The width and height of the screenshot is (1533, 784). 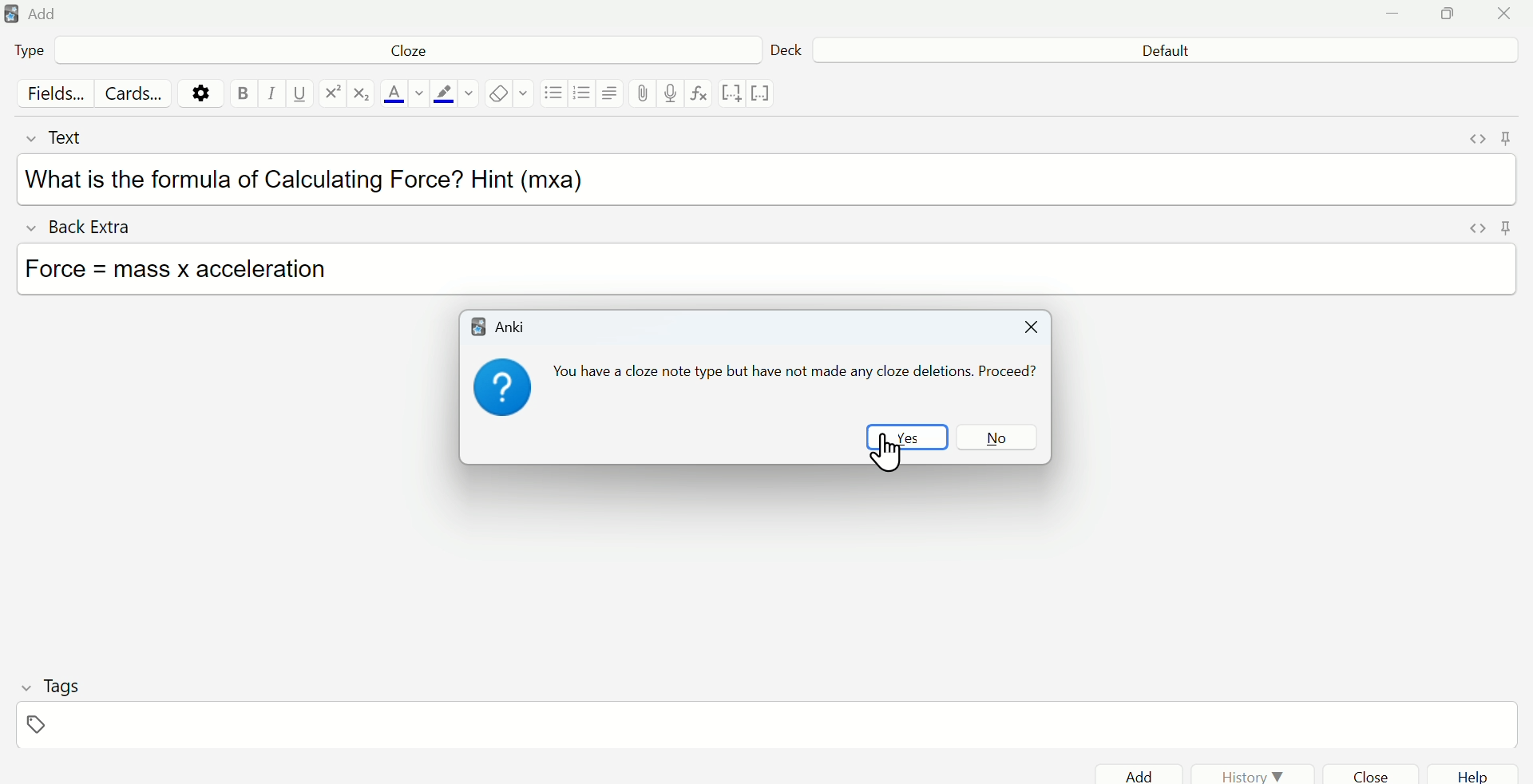 What do you see at coordinates (1474, 141) in the screenshot?
I see `Expand` at bounding box center [1474, 141].